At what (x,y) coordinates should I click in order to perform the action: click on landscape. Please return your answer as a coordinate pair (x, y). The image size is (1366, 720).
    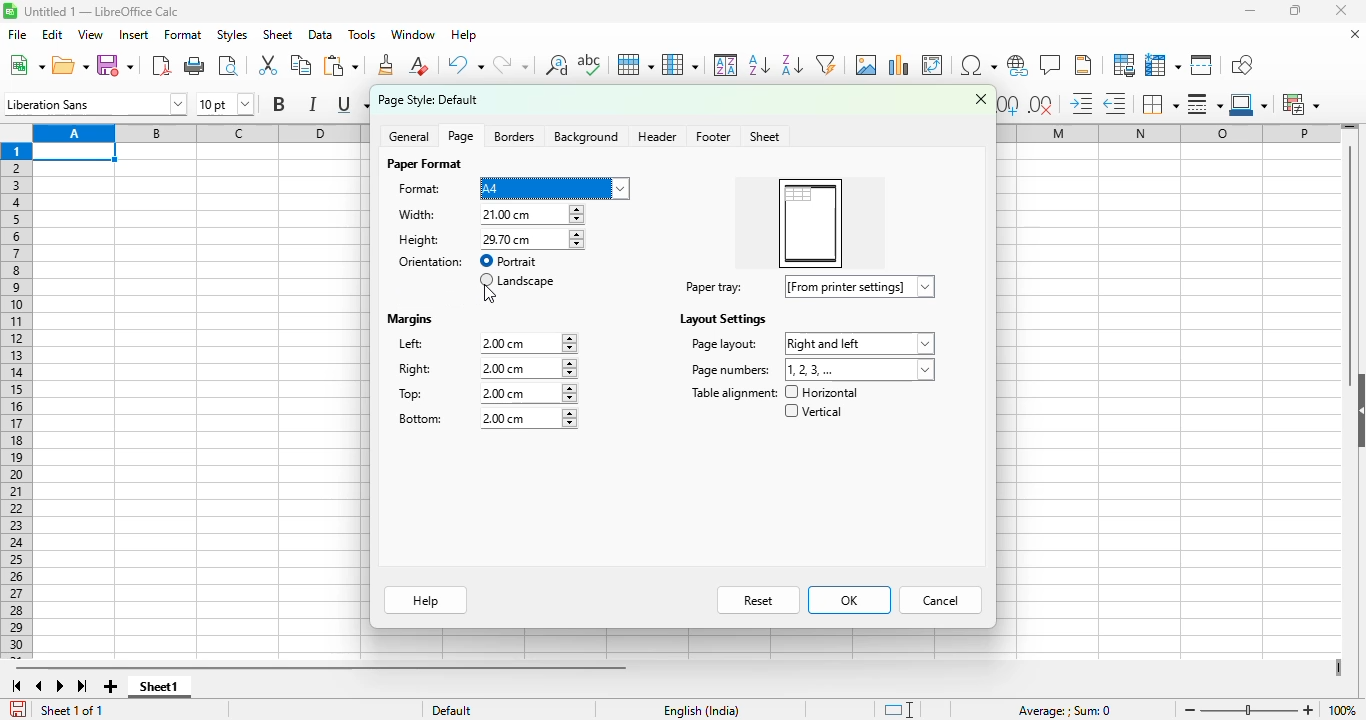
    Looking at the image, I should click on (516, 281).